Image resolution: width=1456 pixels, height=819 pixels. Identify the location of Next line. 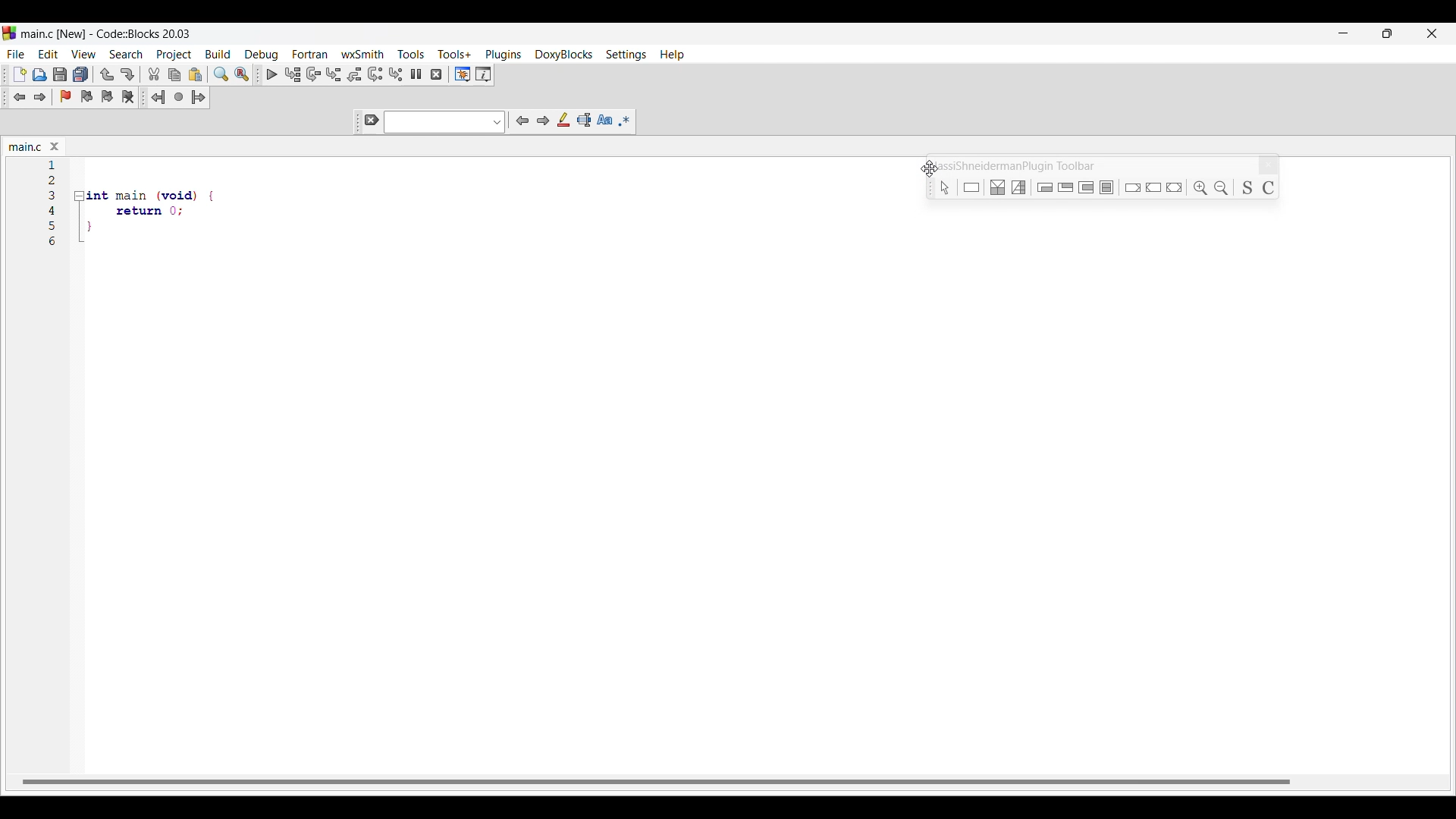
(313, 74).